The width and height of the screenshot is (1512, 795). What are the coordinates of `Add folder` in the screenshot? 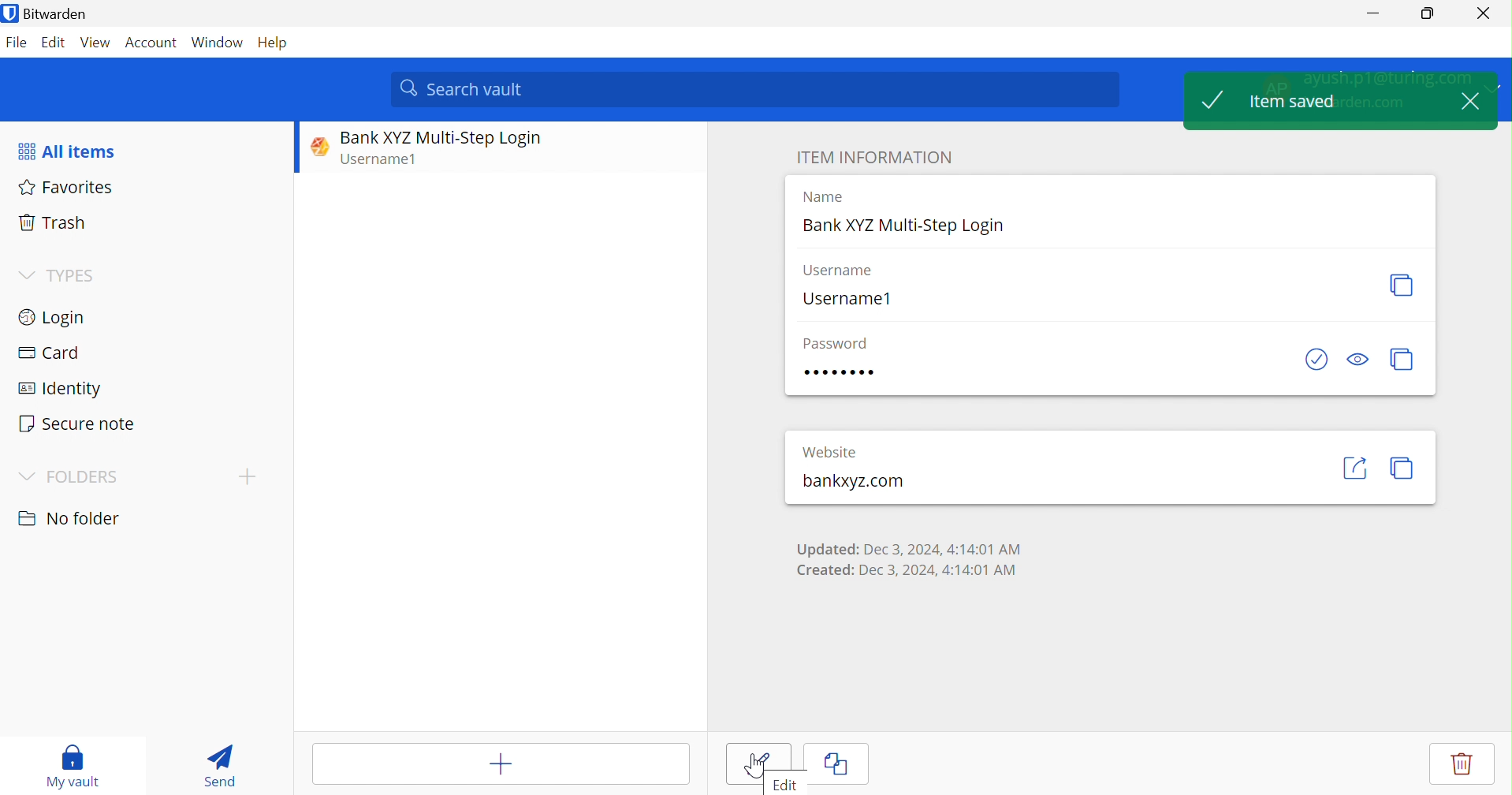 It's located at (248, 476).